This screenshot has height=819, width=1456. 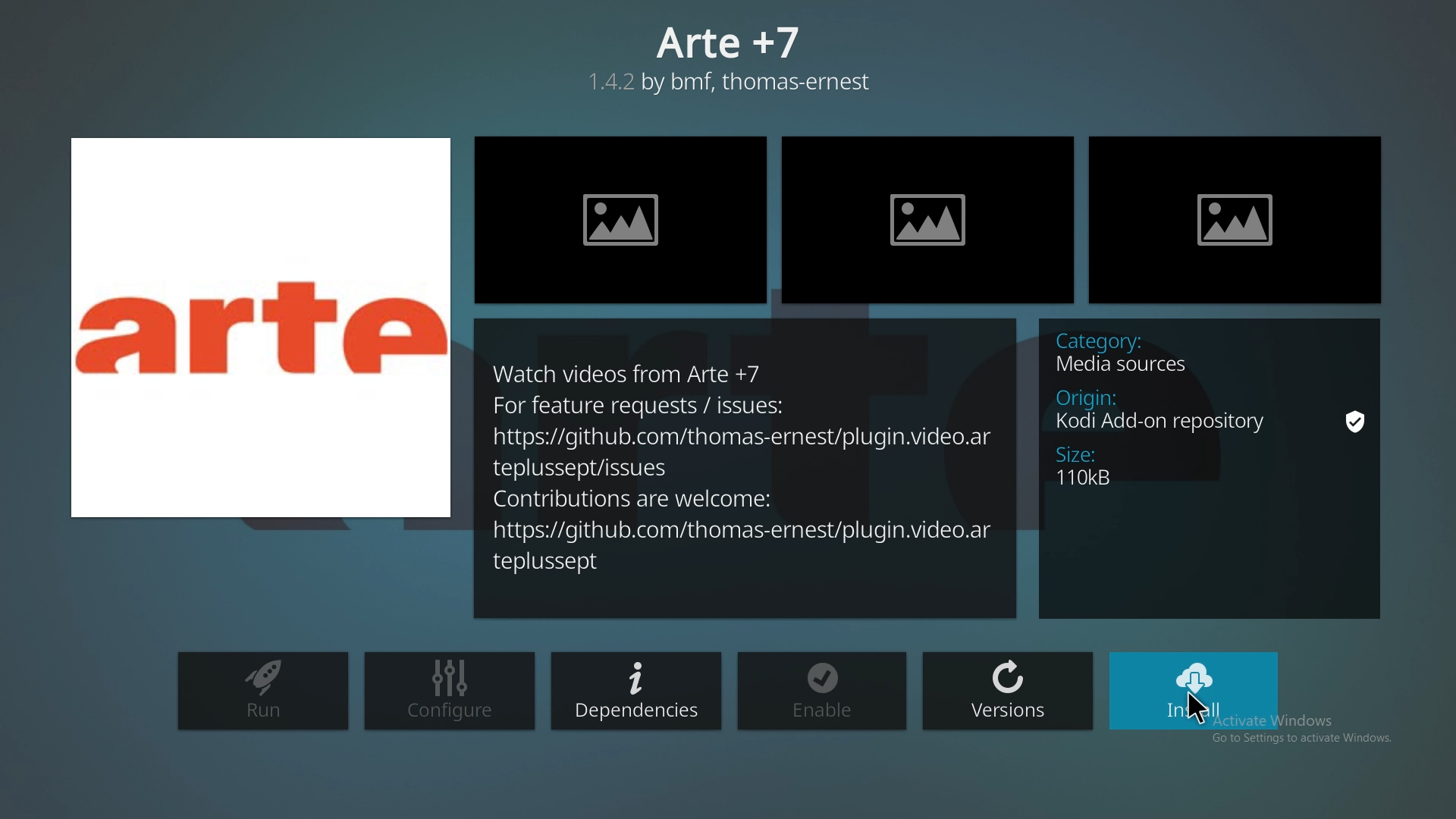 I want to click on arte, so click(x=734, y=57).